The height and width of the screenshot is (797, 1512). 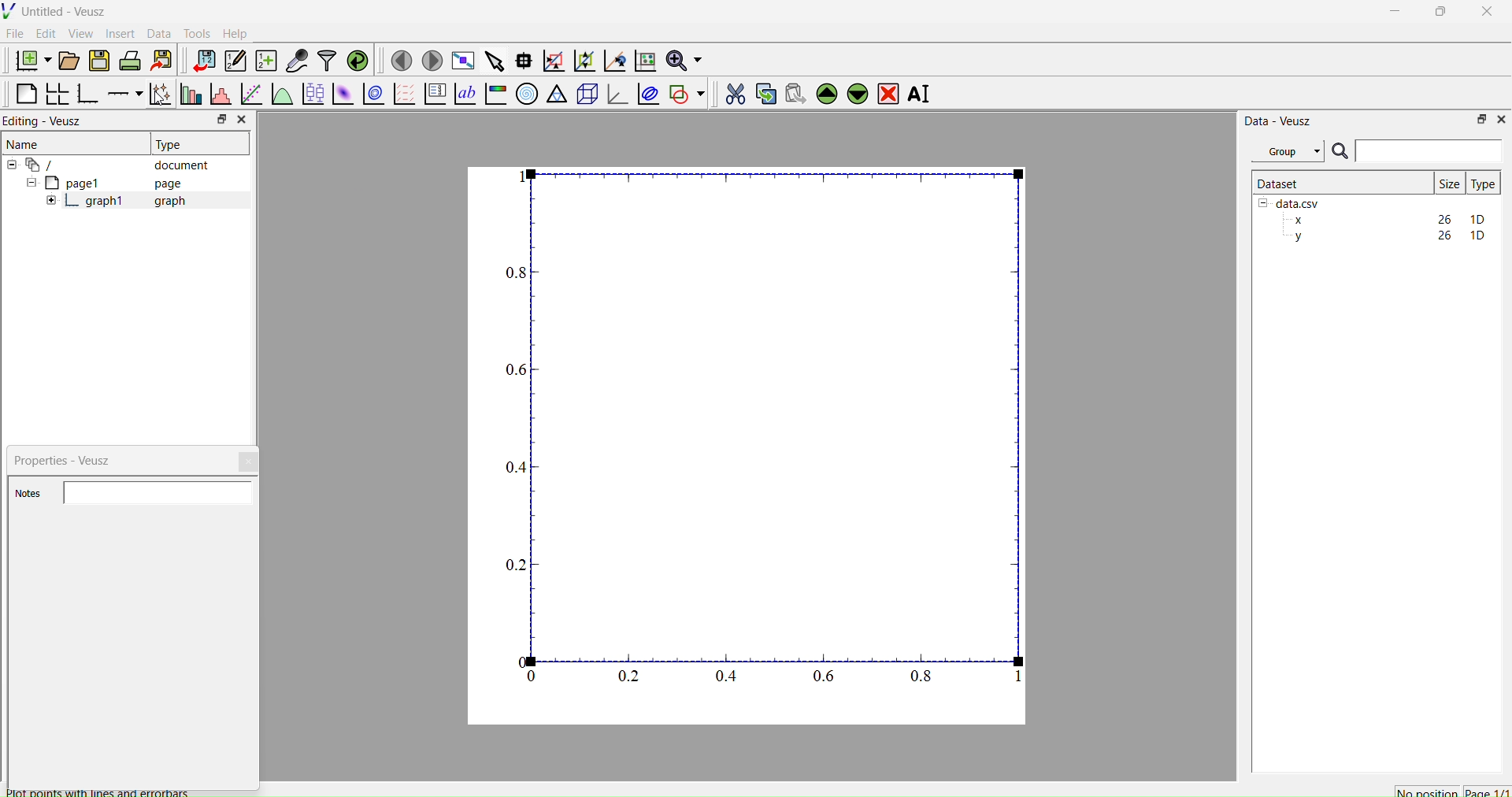 I want to click on x 26 1D, so click(x=1385, y=220).